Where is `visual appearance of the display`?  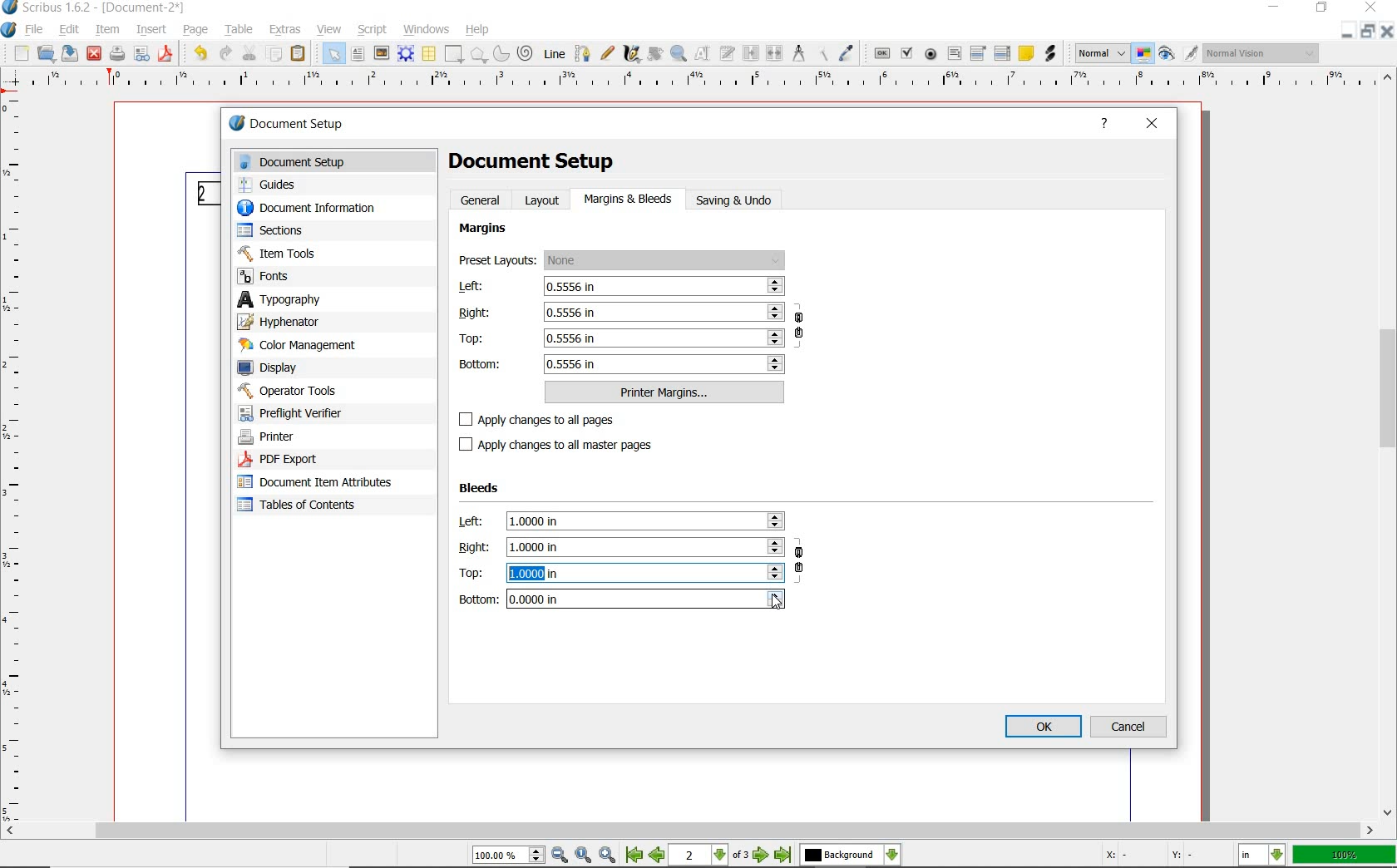
visual appearance of the display is located at coordinates (1263, 53).